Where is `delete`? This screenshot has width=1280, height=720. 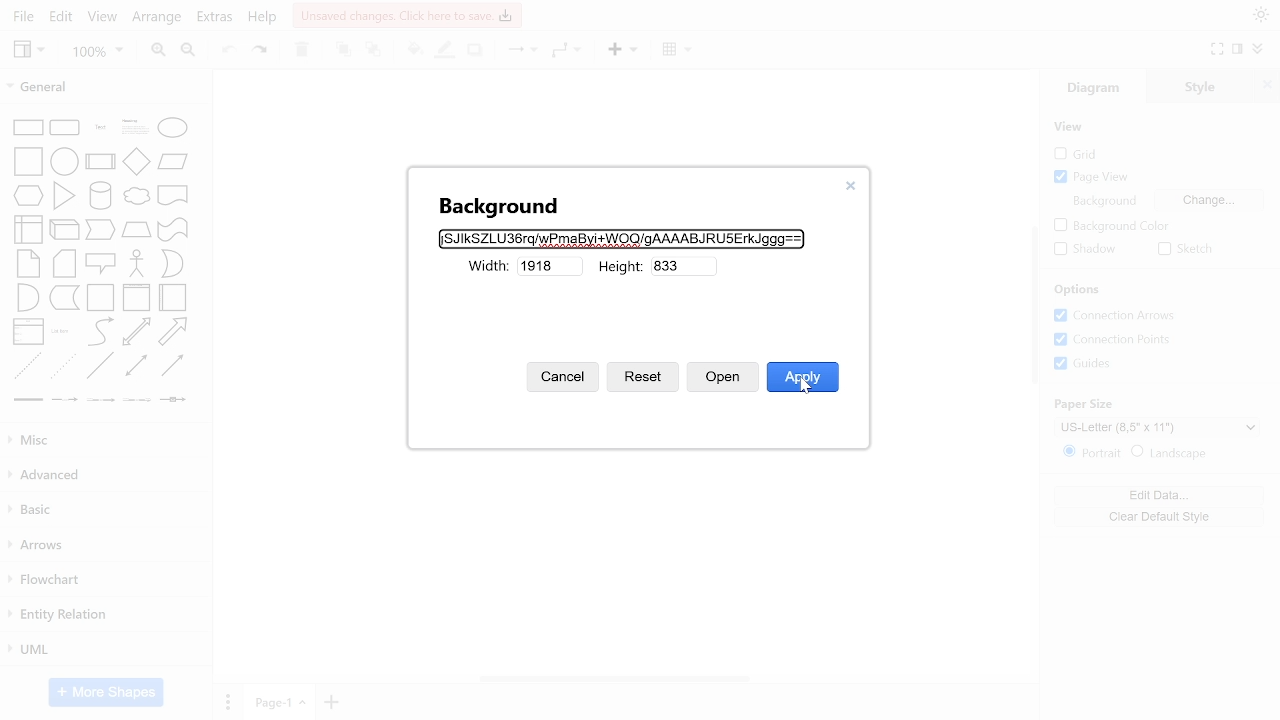 delete is located at coordinates (304, 51).